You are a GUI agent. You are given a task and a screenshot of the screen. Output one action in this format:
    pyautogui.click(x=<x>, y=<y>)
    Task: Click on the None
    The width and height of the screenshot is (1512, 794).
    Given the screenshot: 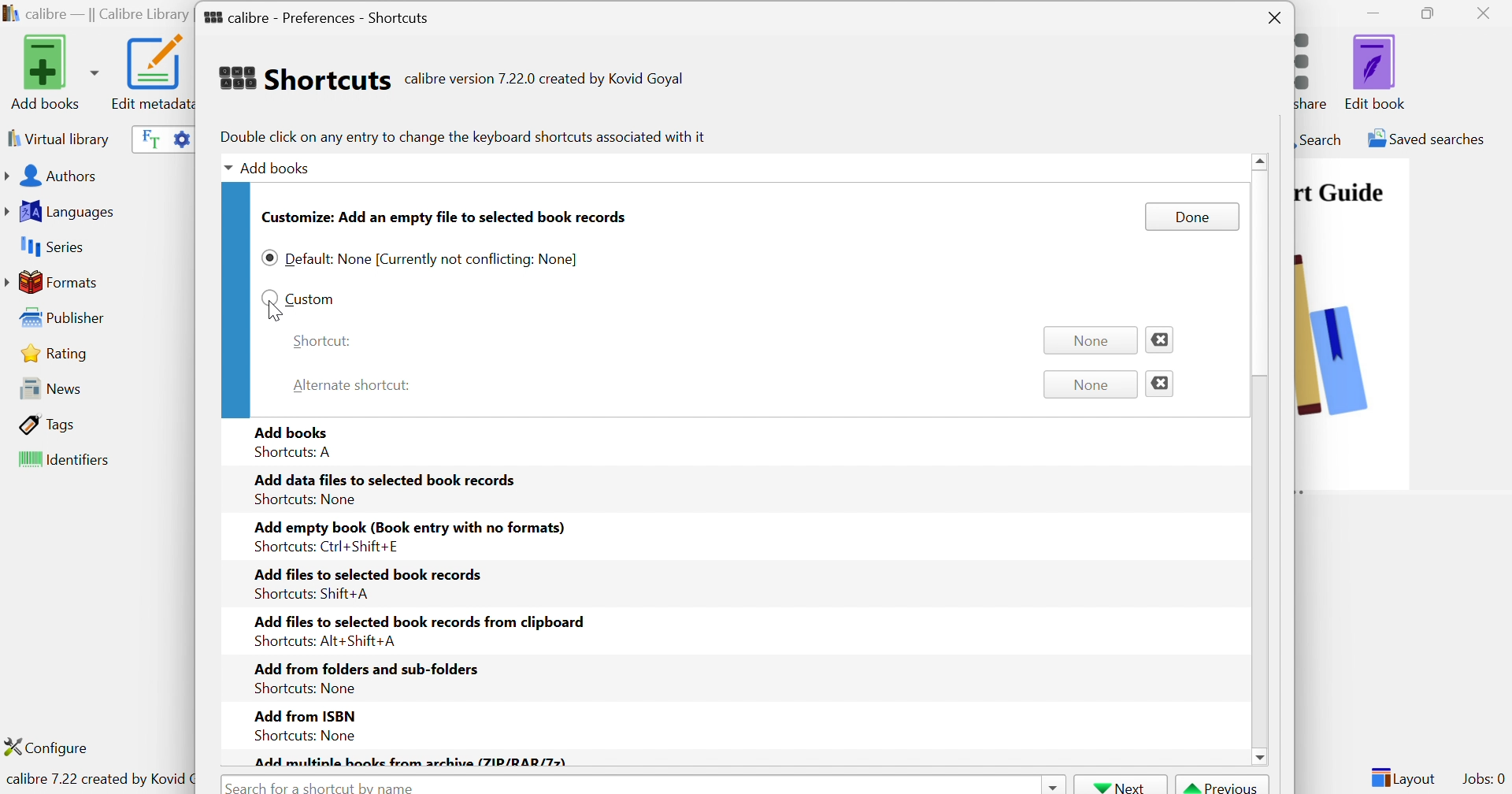 What is the action you would take?
    pyautogui.click(x=1086, y=340)
    